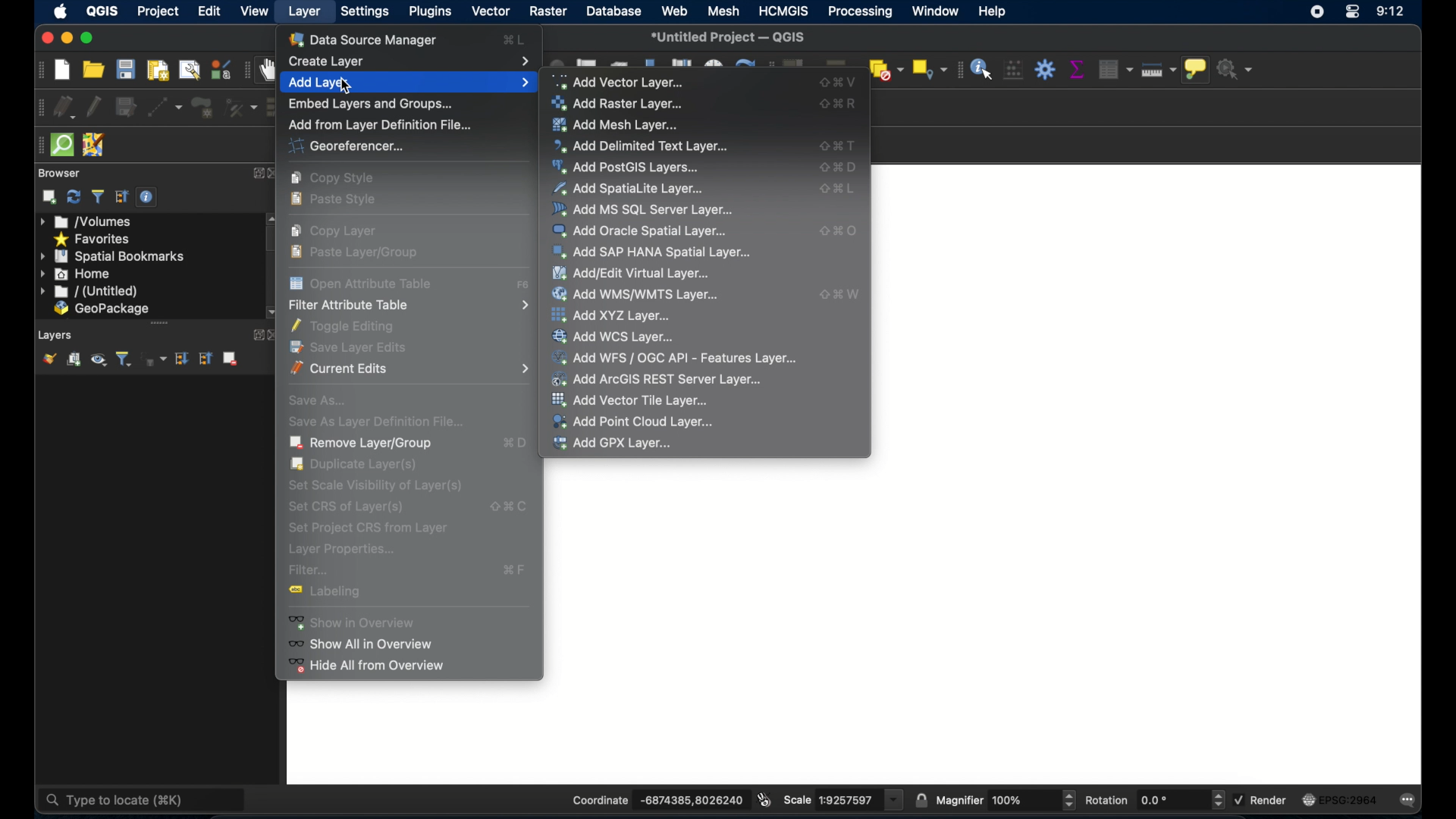  What do you see at coordinates (862, 13) in the screenshot?
I see `processing` at bounding box center [862, 13].